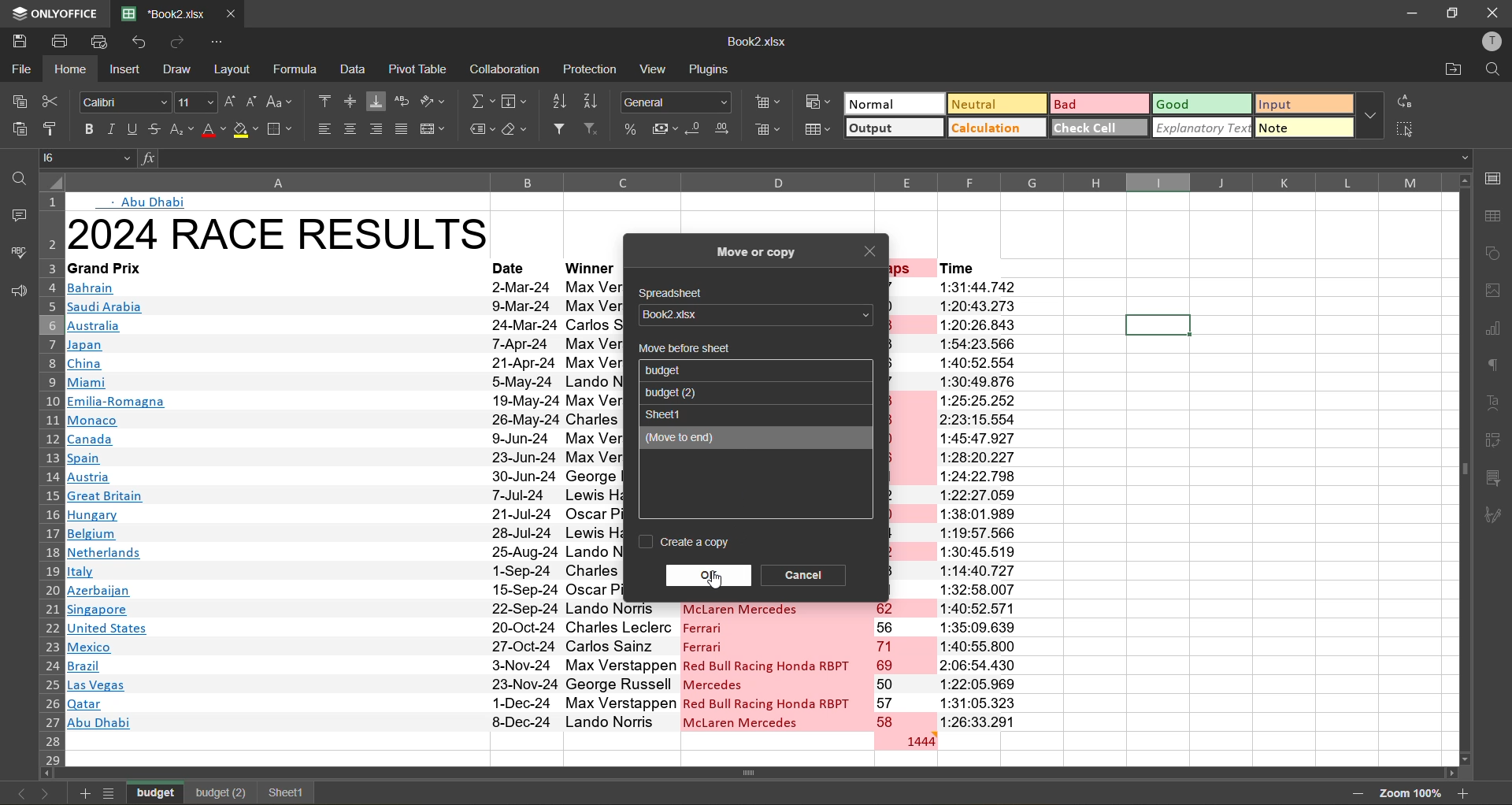 The image size is (1512, 805). What do you see at coordinates (1498, 480) in the screenshot?
I see `slicer` at bounding box center [1498, 480].